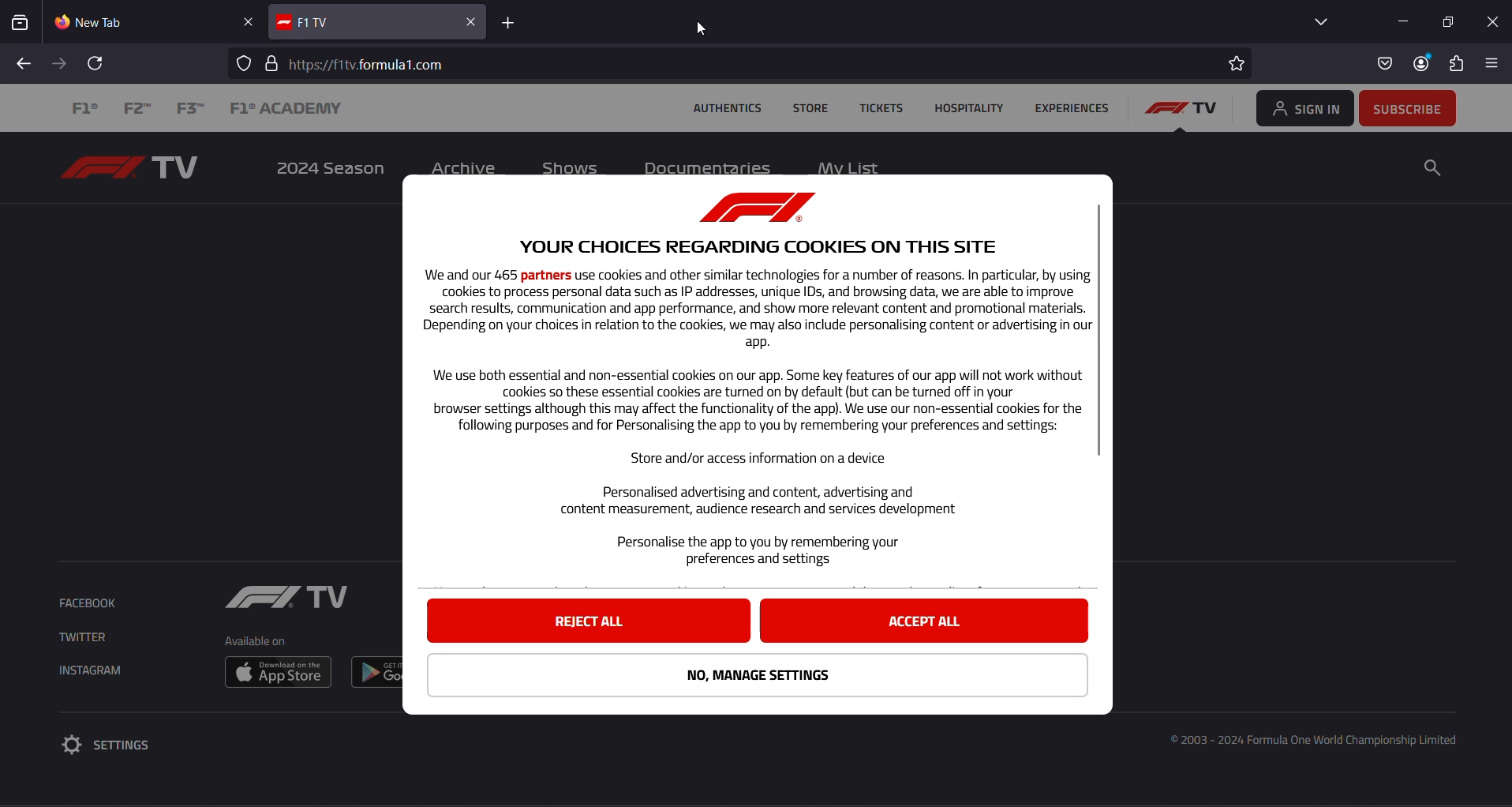  Describe the element at coordinates (849, 165) in the screenshot. I see `my list` at that location.